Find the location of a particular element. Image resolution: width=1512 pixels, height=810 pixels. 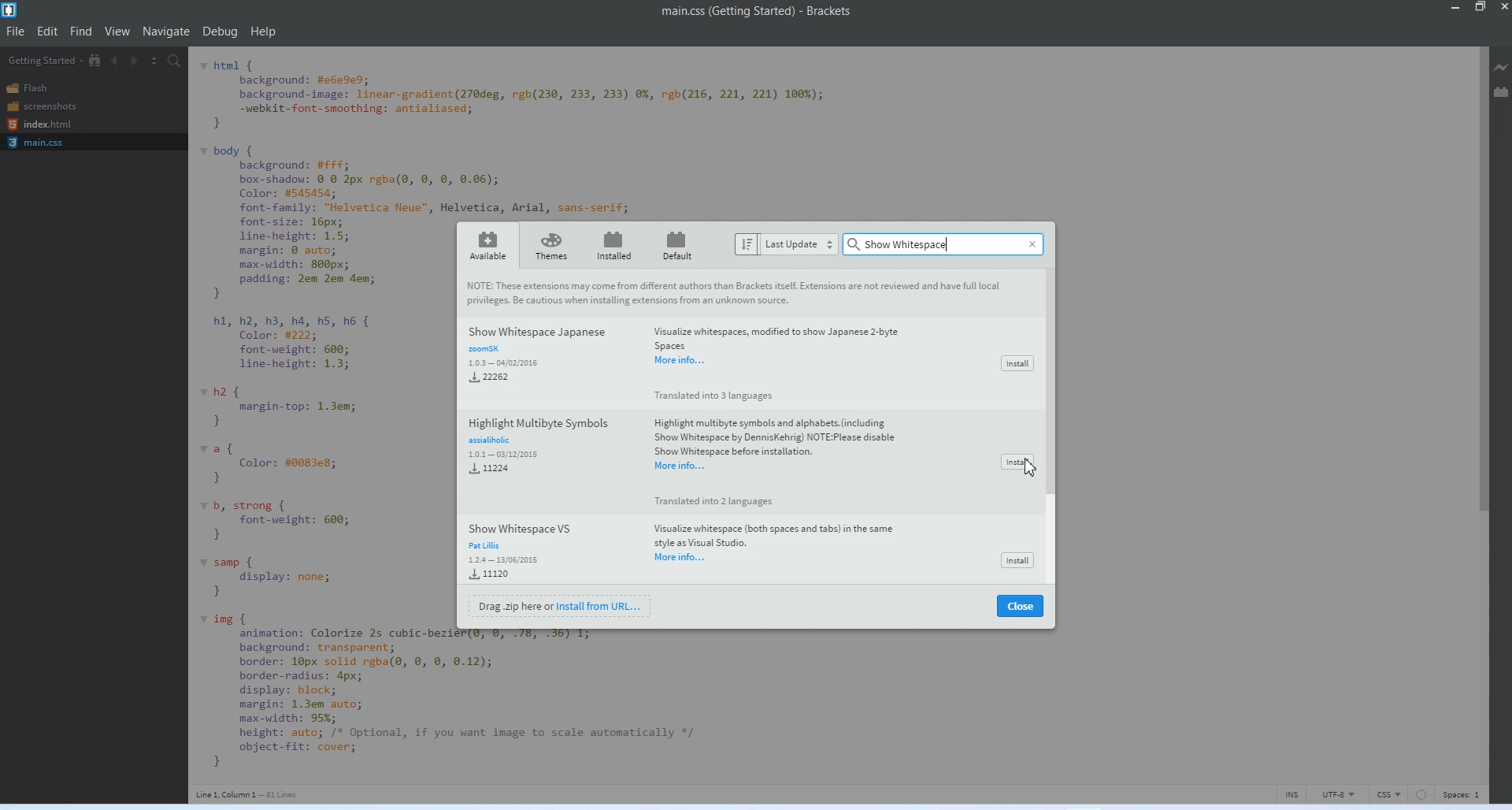

UTF-8 is located at coordinates (1340, 794).